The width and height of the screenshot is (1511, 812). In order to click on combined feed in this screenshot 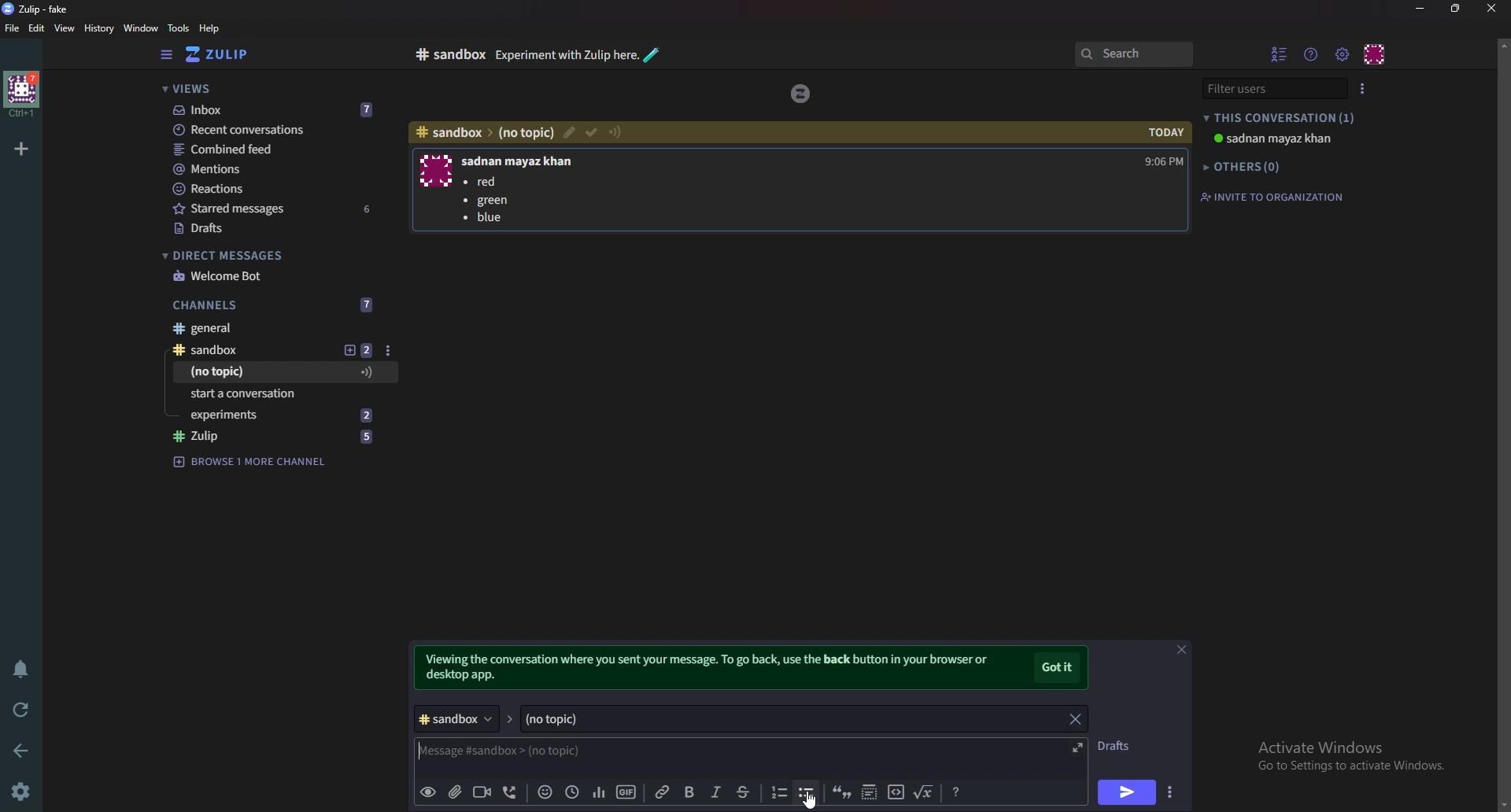, I will do `click(277, 149)`.